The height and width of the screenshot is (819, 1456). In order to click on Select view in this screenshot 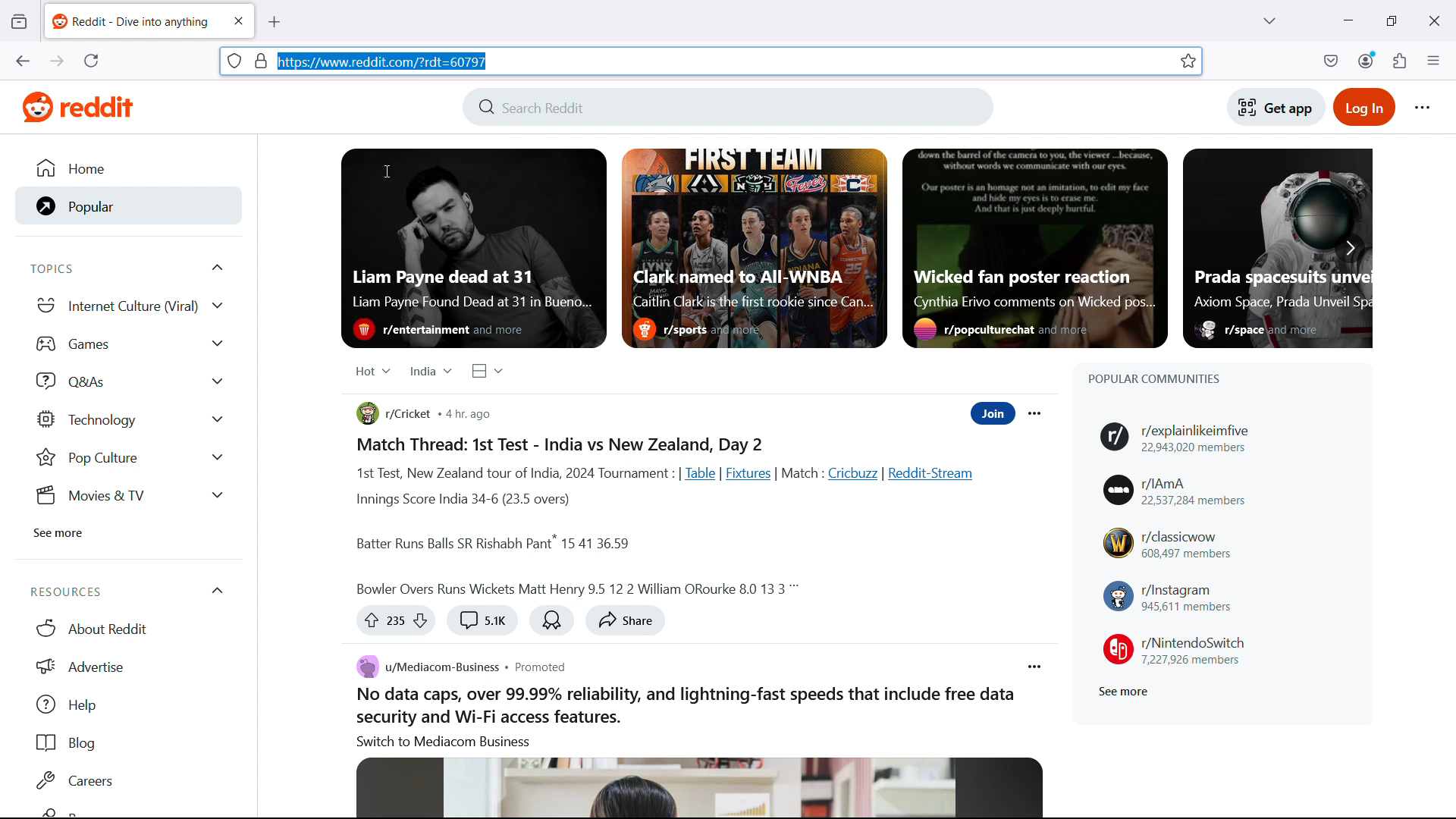, I will do `click(488, 371)`.